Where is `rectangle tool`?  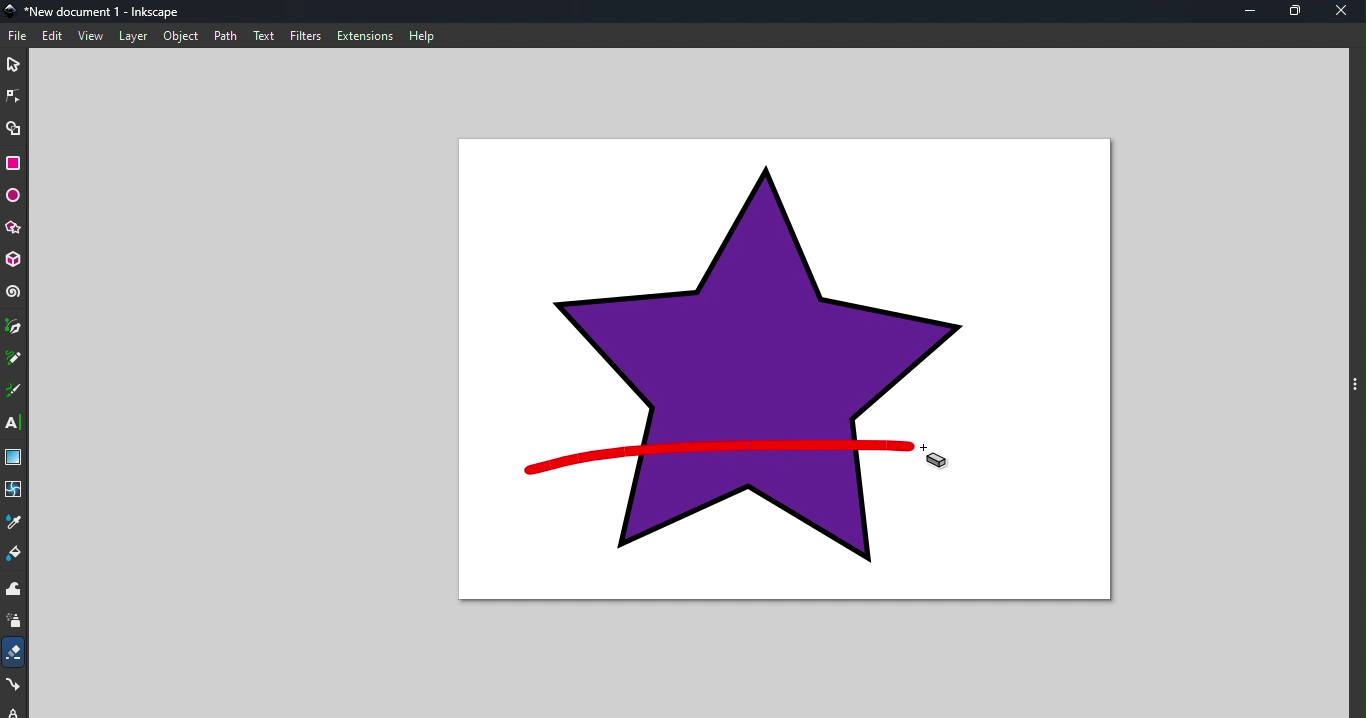
rectangle tool is located at coordinates (14, 162).